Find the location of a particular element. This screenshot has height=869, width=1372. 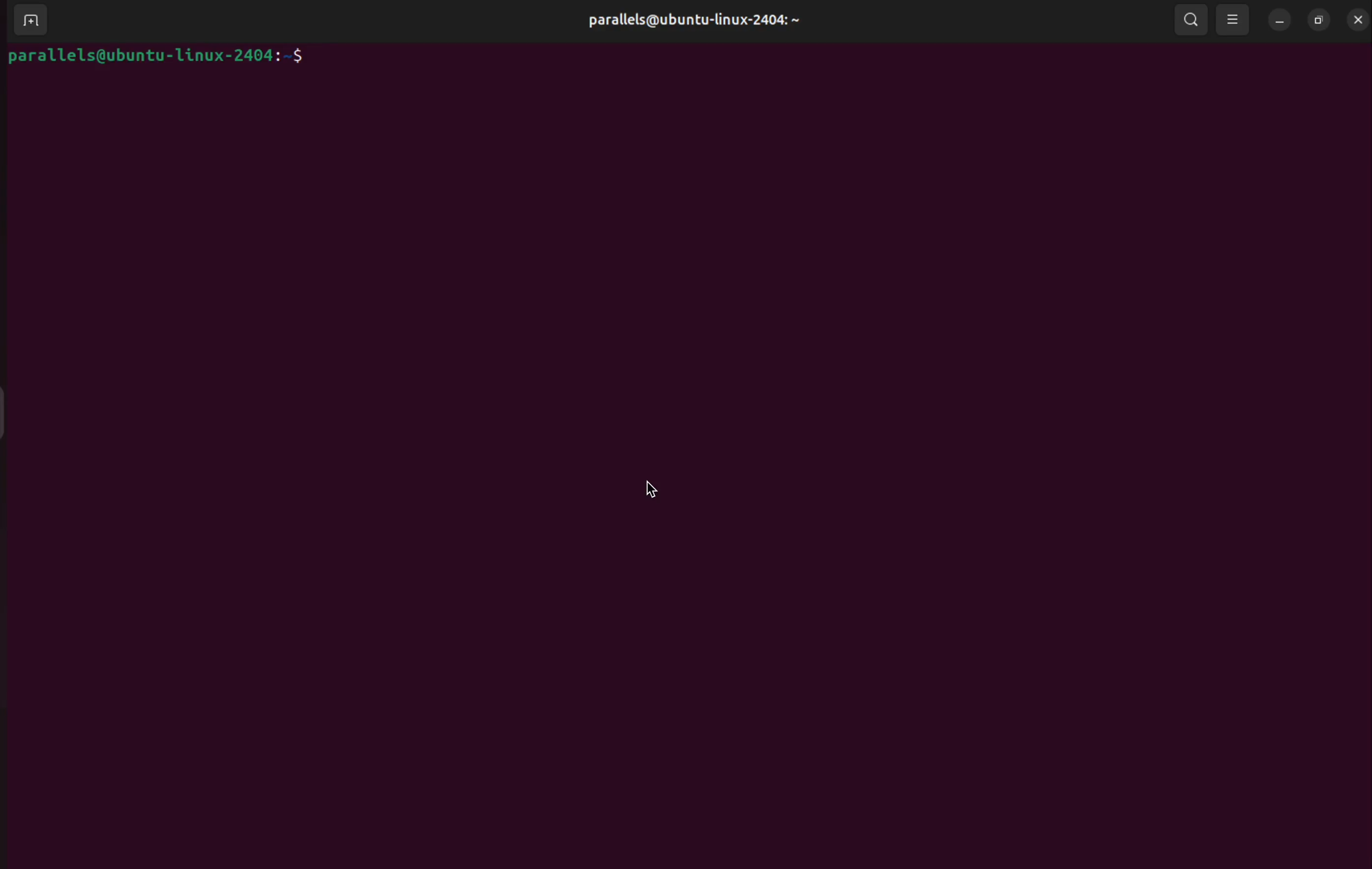

close is located at coordinates (1357, 21).